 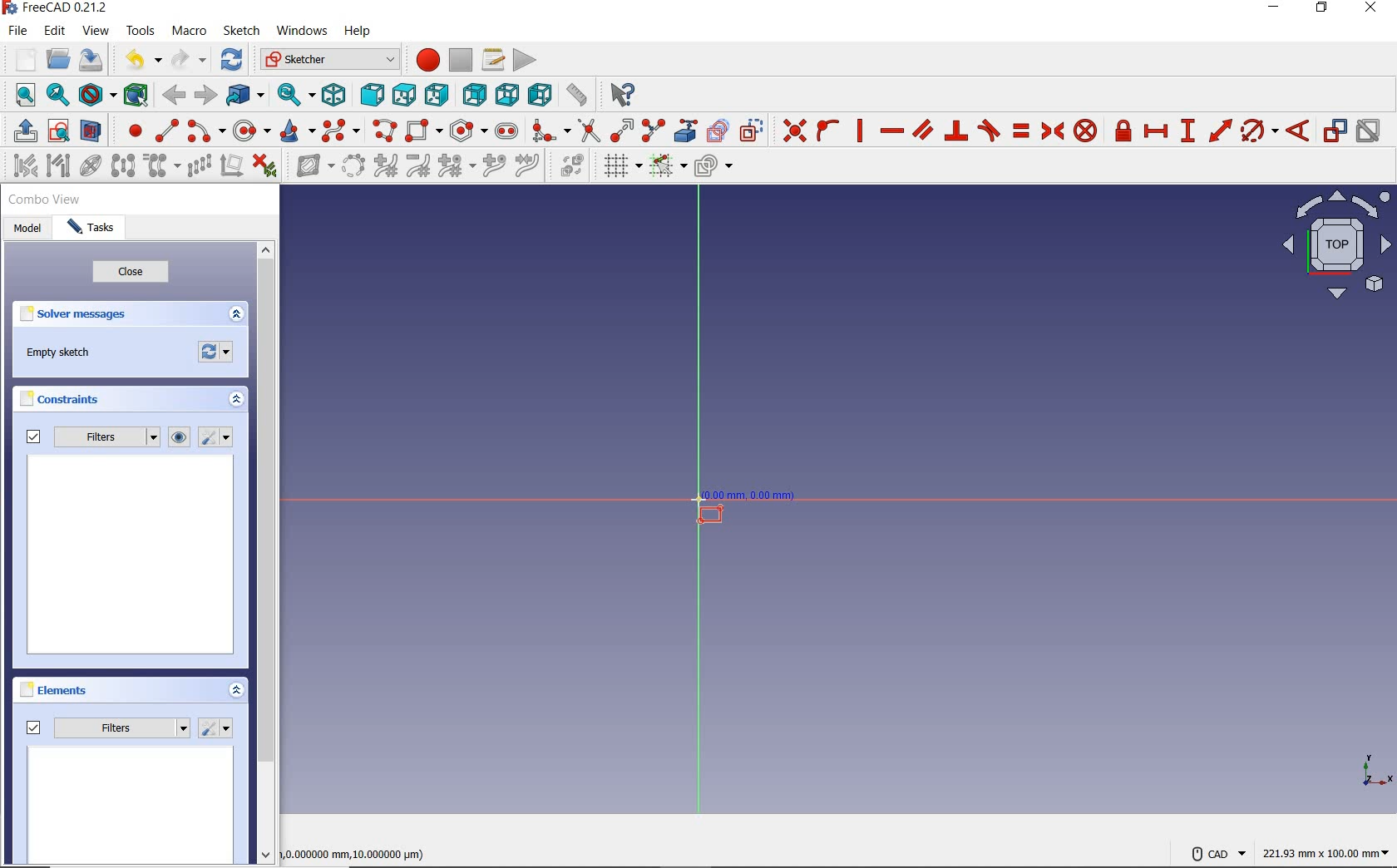 What do you see at coordinates (175, 96) in the screenshot?
I see `back` at bounding box center [175, 96].